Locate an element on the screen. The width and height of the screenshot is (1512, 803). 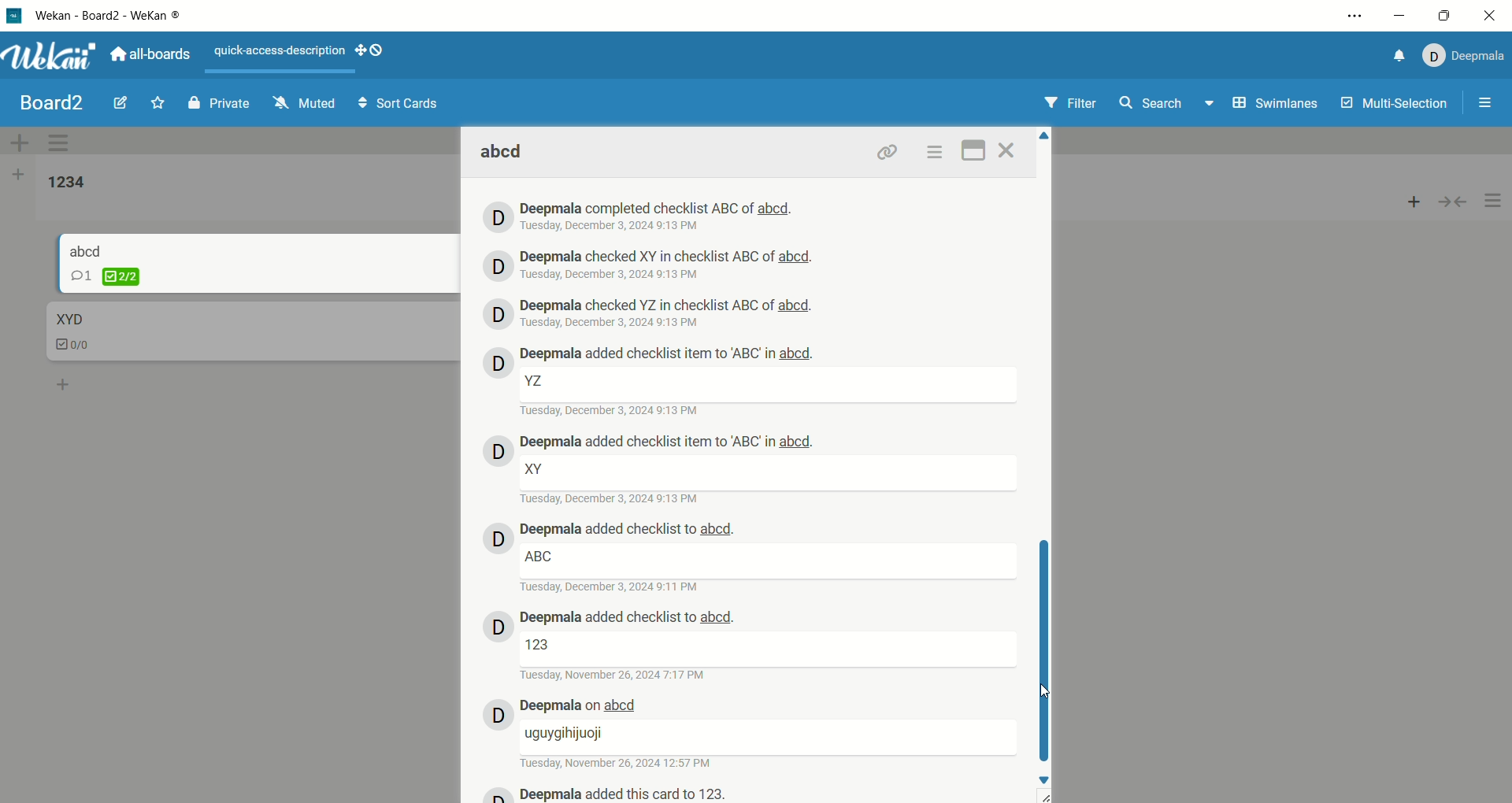
all boards is located at coordinates (150, 53).